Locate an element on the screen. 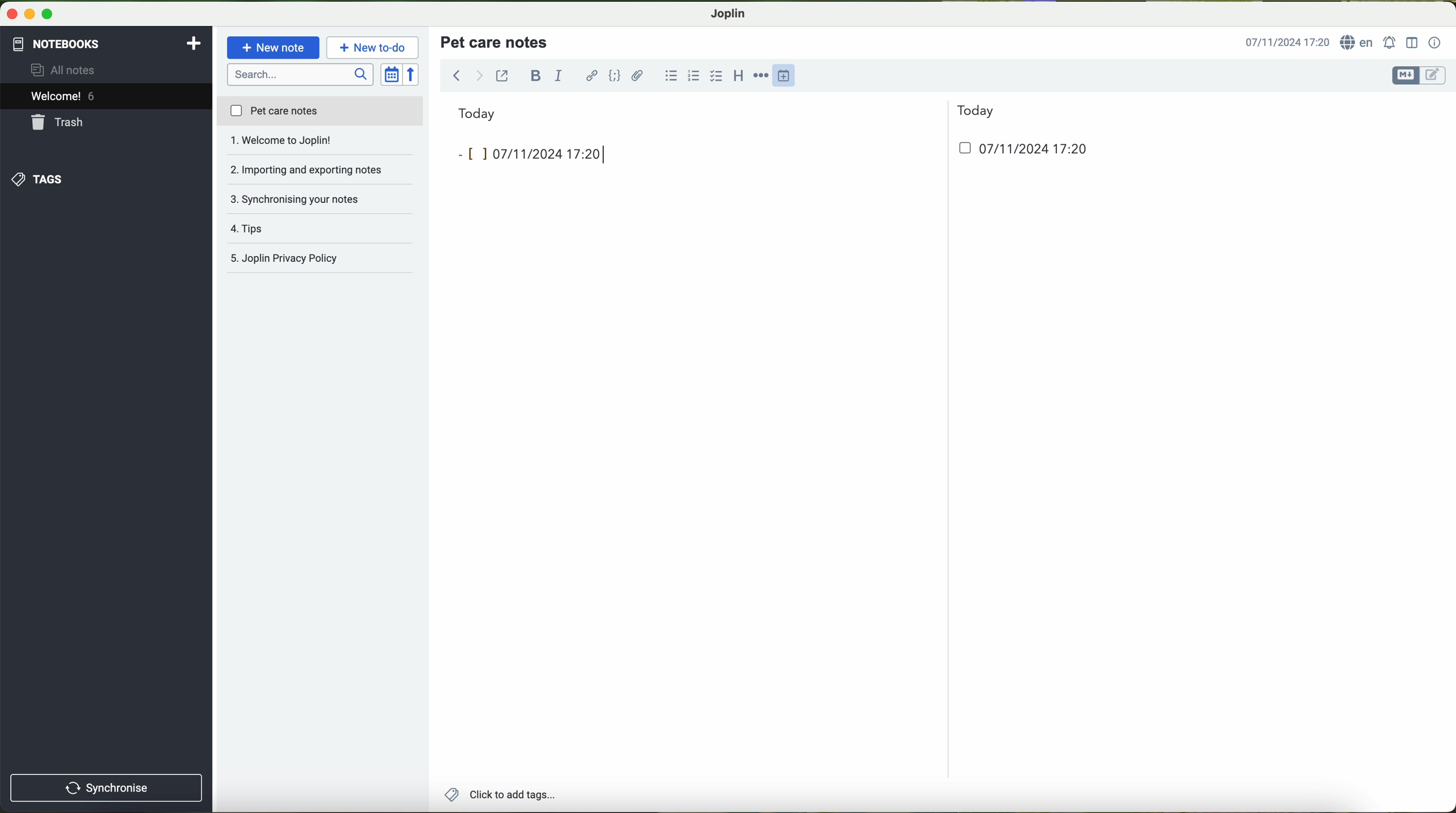 This screenshot has width=1456, height=813. cursor on new to-do button  is located at coordinates (374, 48).